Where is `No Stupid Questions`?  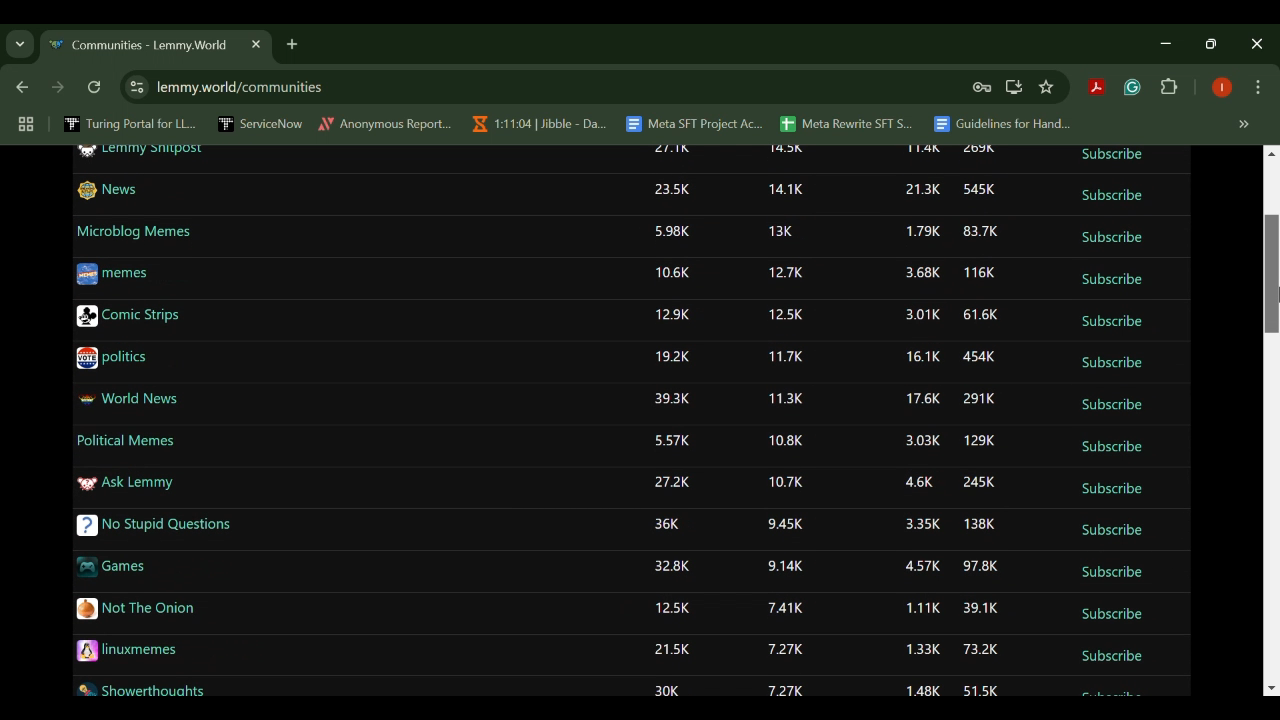 No Stupid Questions is located at coordinates (157, 526).